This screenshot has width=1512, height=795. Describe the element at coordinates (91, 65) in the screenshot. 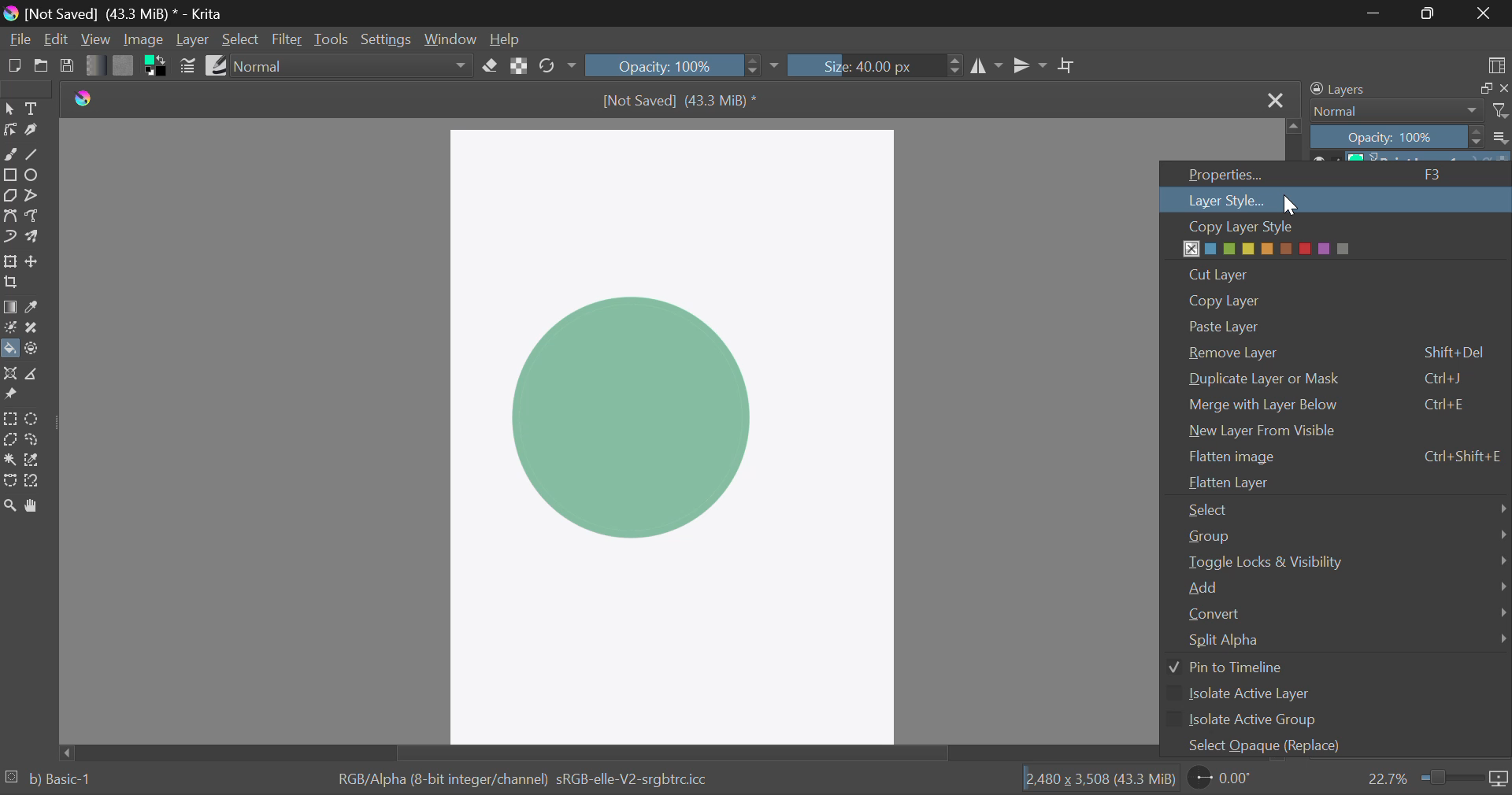

I see `Gradient` at that location.